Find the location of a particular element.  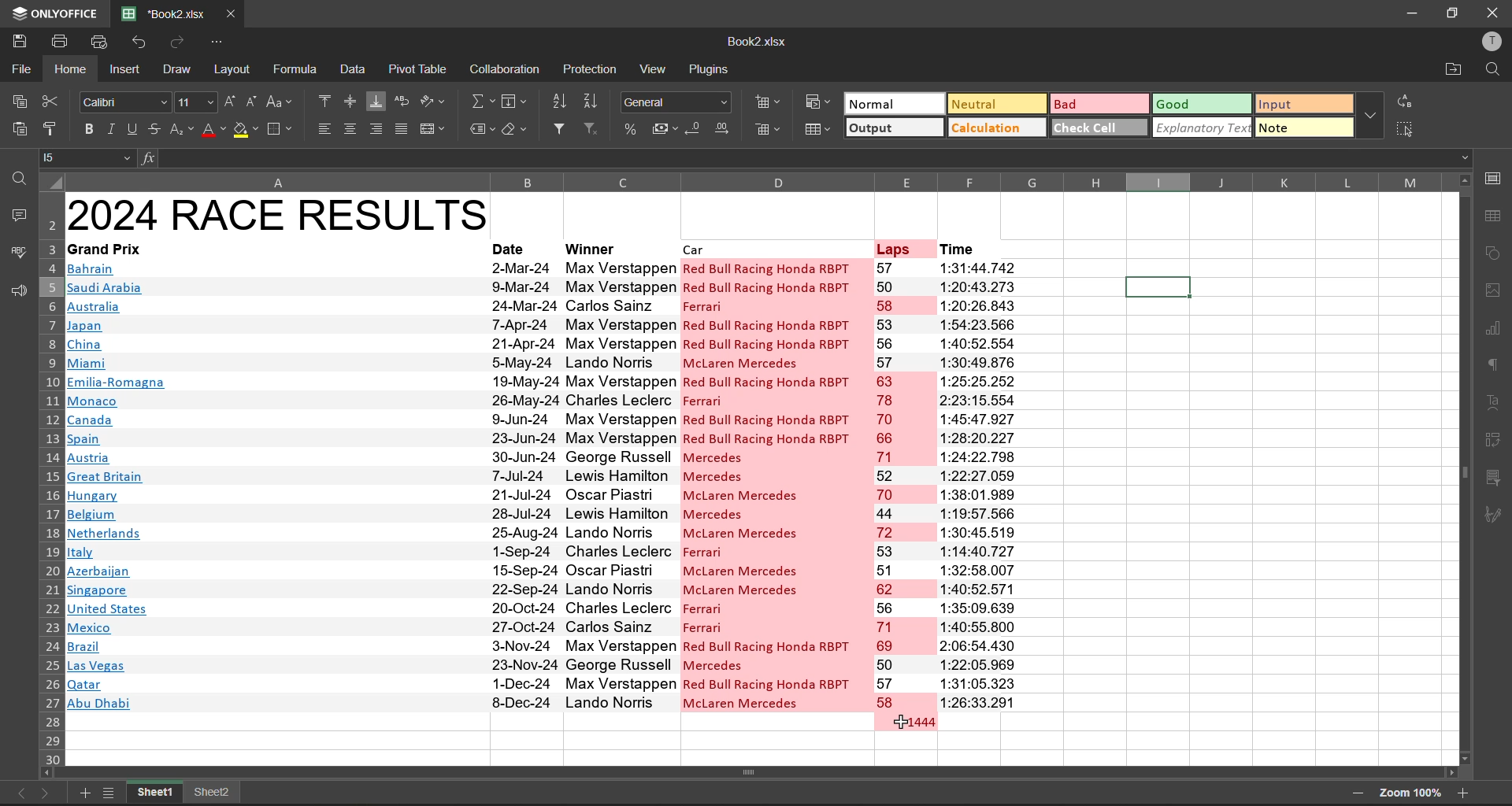

zoom out is located at coordinates (1359, 793).